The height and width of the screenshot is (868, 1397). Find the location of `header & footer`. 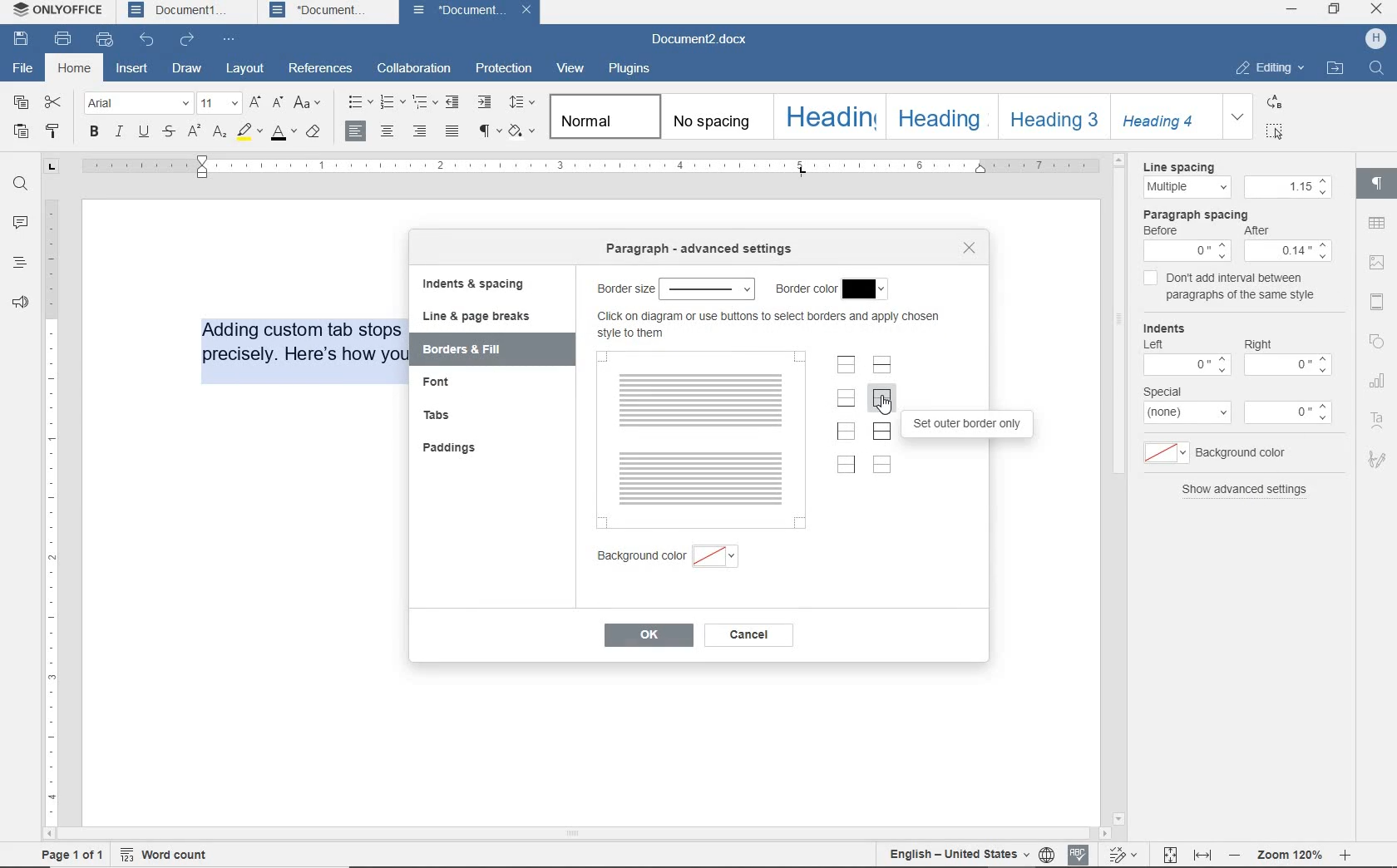

header & footer is located at coordinates (1377, 302).